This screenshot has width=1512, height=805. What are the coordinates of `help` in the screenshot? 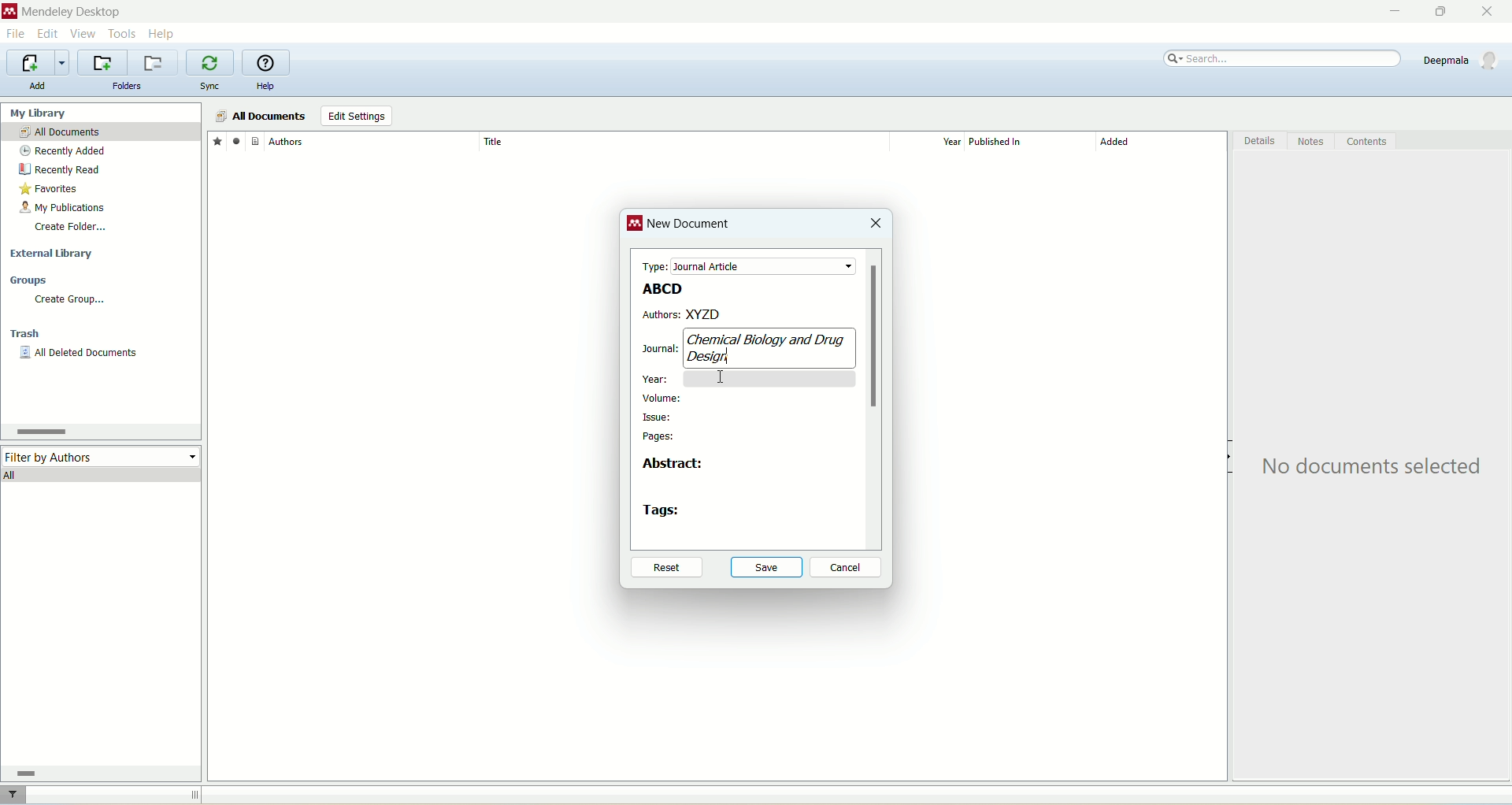 It's located at (163, 33).